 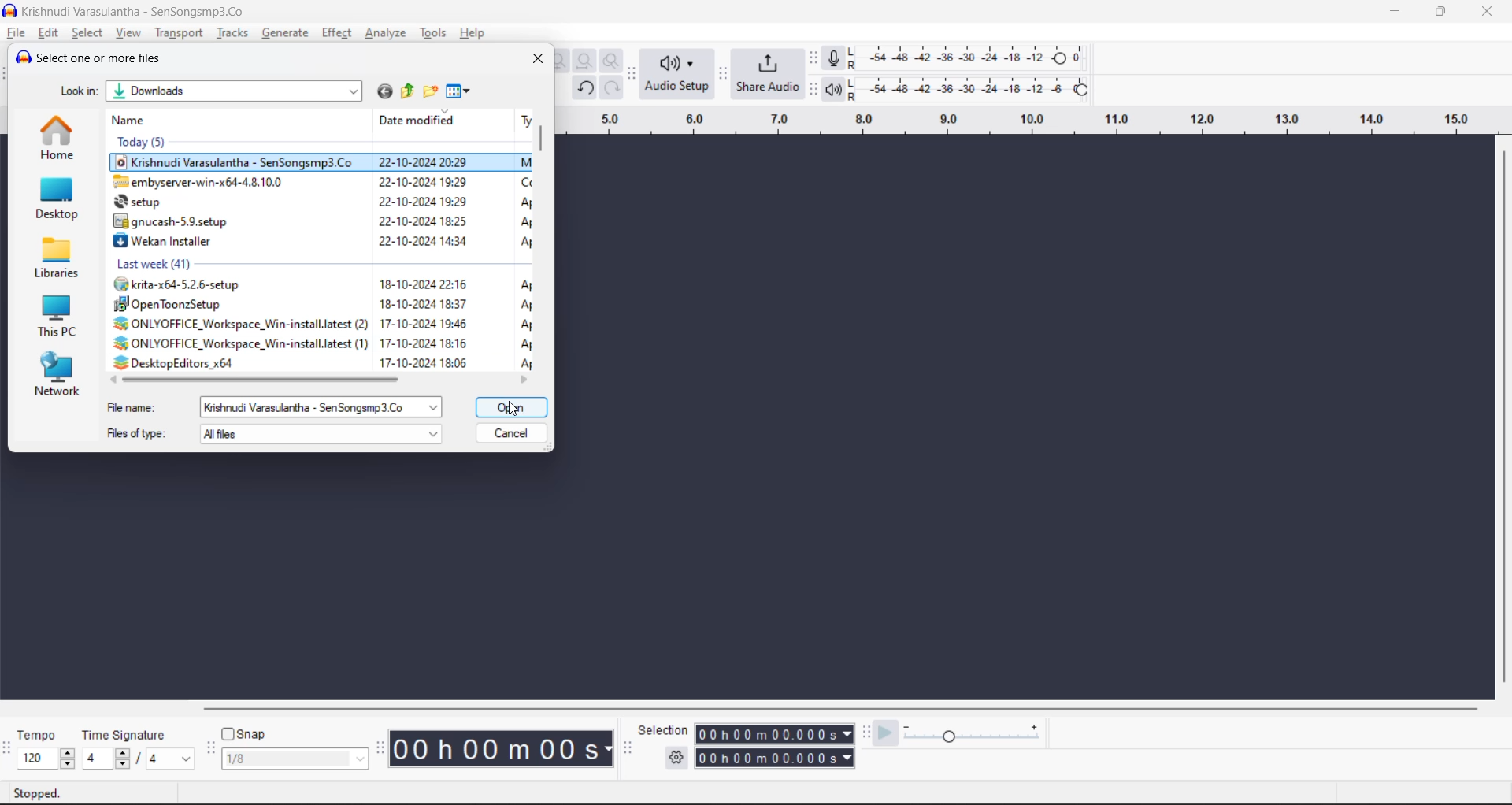 I want to click on 00 h 00m 00s, so click(x=504, y=749).